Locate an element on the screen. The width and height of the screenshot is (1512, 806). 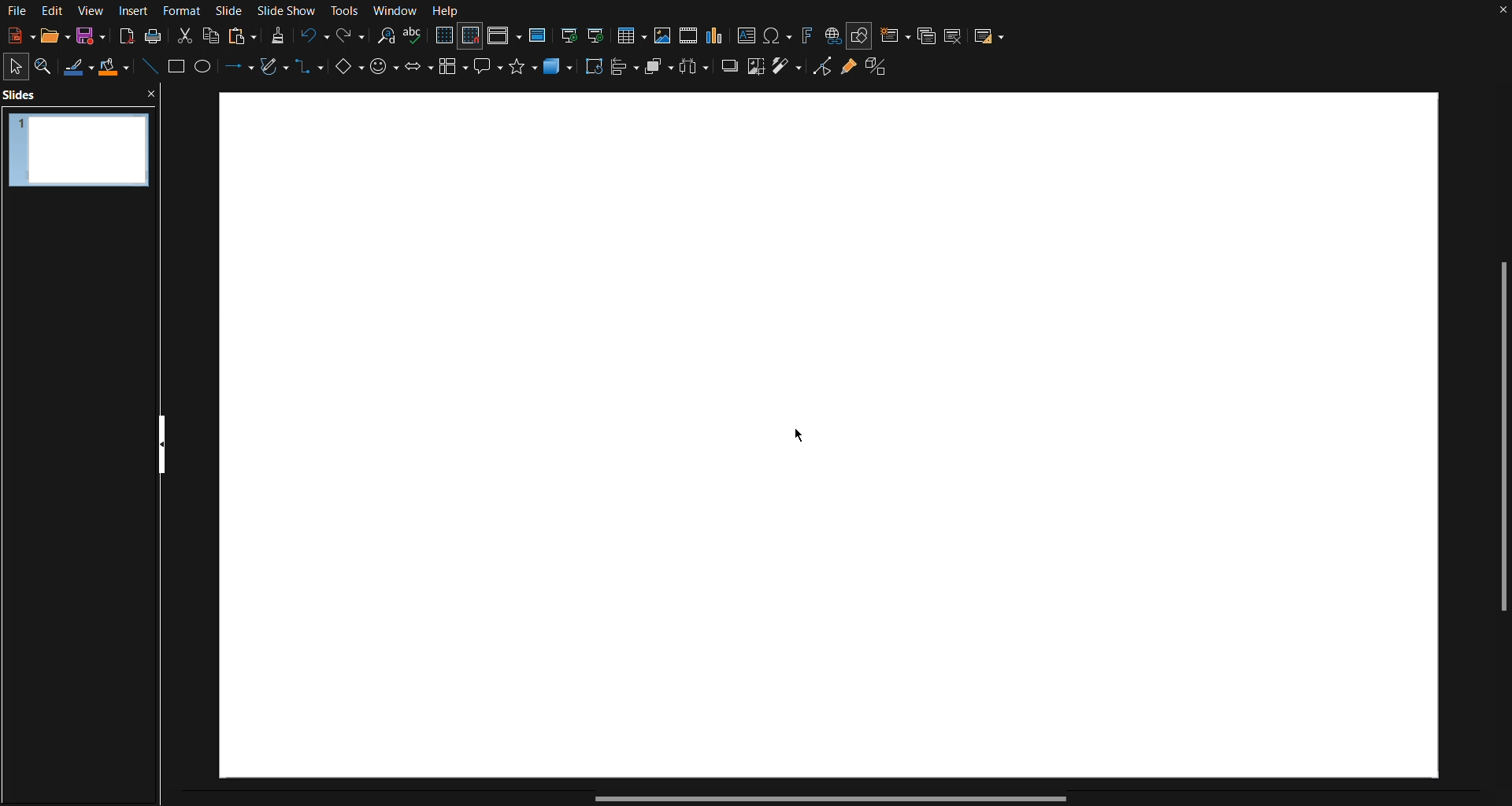
Duplicate Slide is located at coordinates (926, 35).